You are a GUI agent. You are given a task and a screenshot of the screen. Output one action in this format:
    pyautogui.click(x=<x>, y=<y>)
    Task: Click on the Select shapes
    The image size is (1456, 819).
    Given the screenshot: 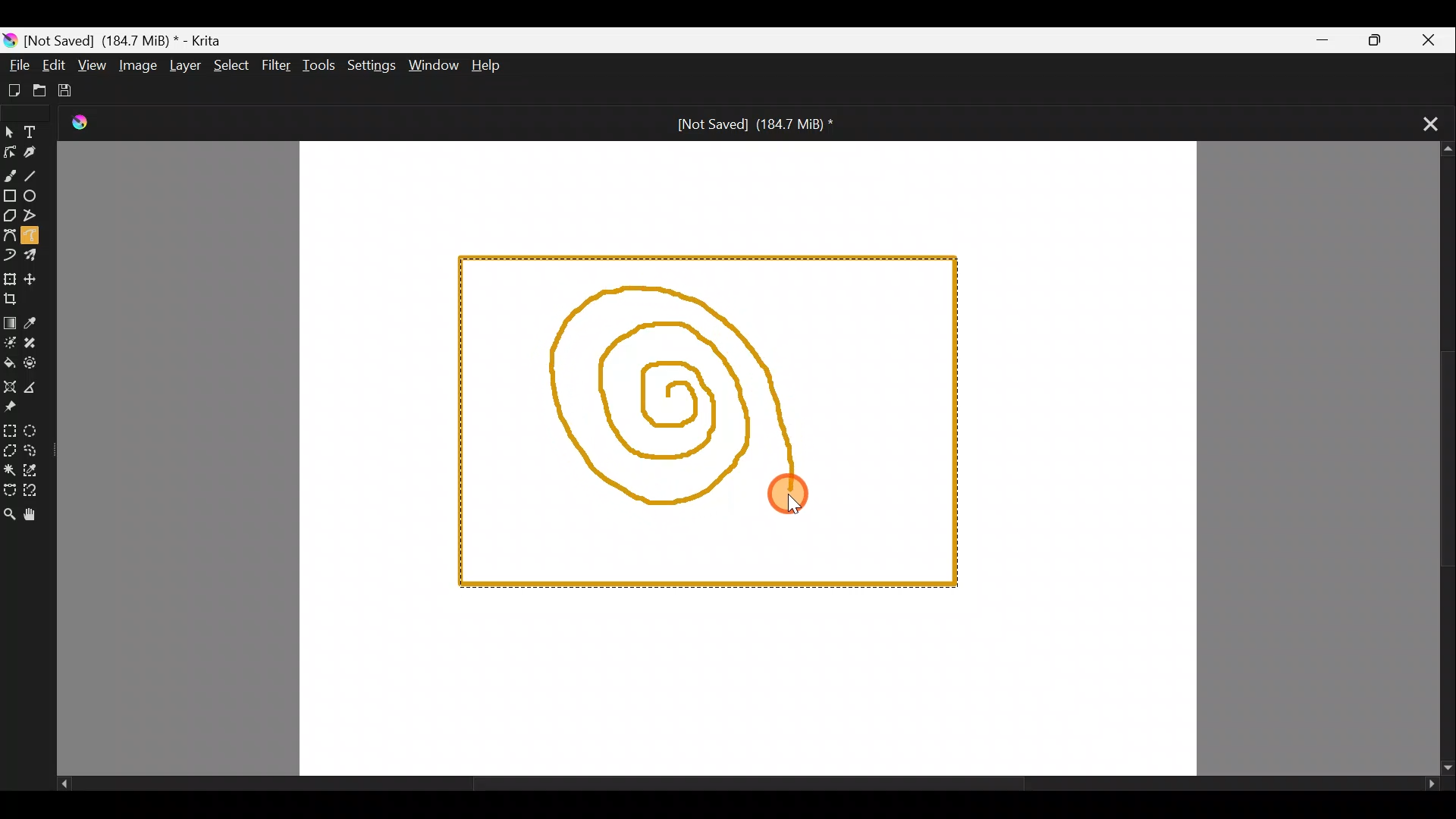 What is the action you would take?
    pyautogui.click(x=11, y=130)
    